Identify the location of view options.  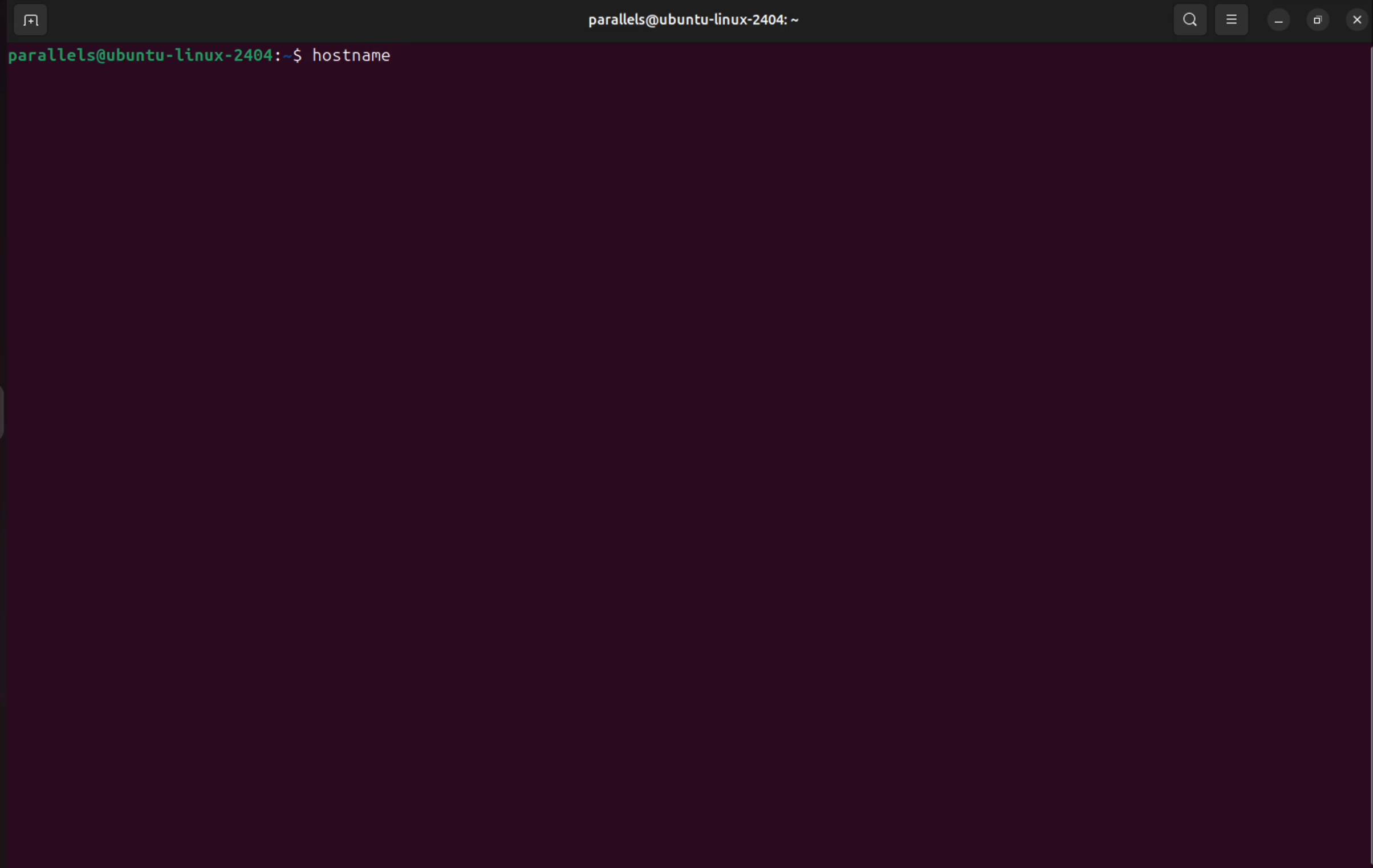
(1233, 19).